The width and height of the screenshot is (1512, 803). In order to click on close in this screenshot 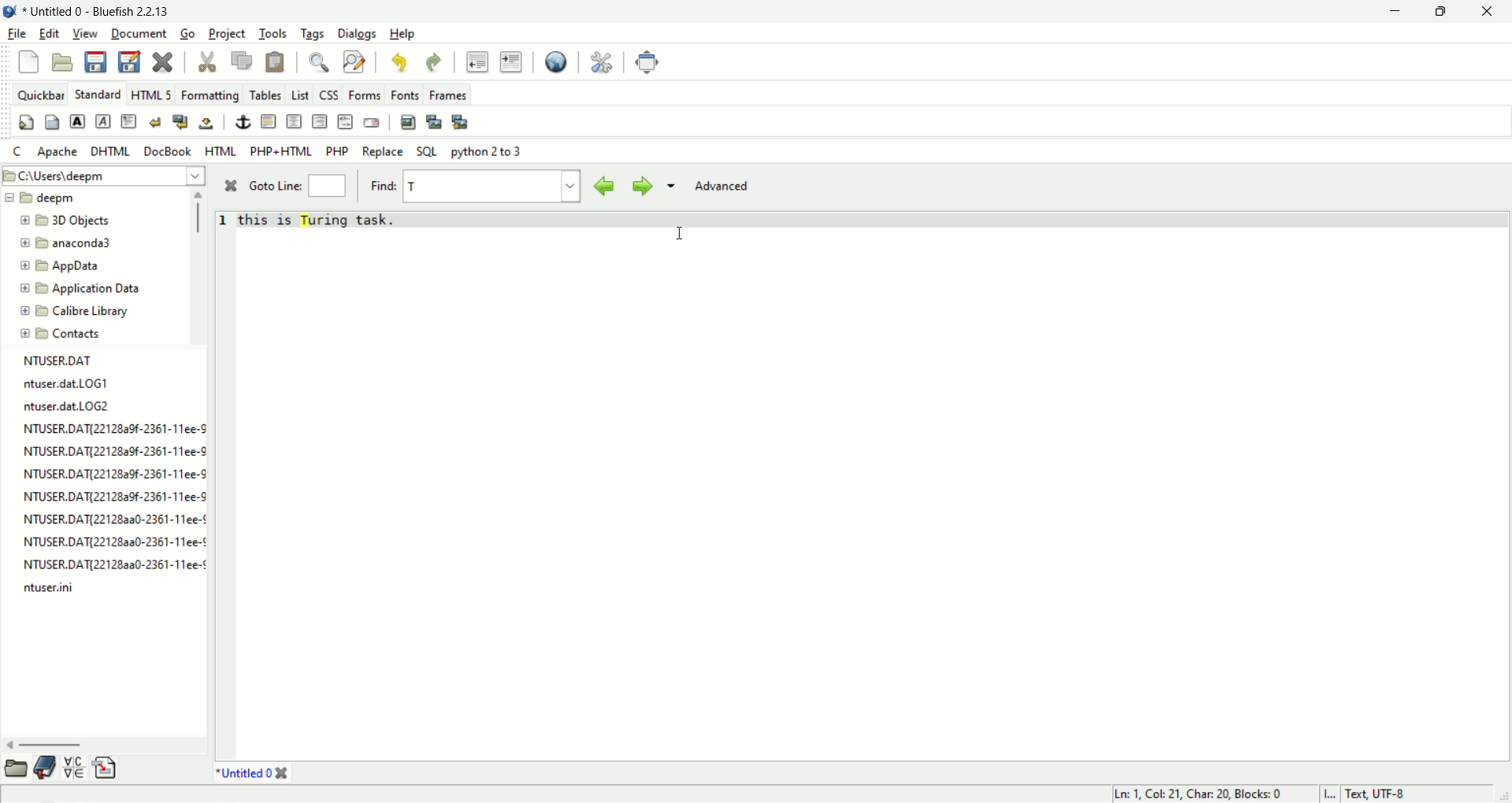, I will do `click(1494, 12)`.